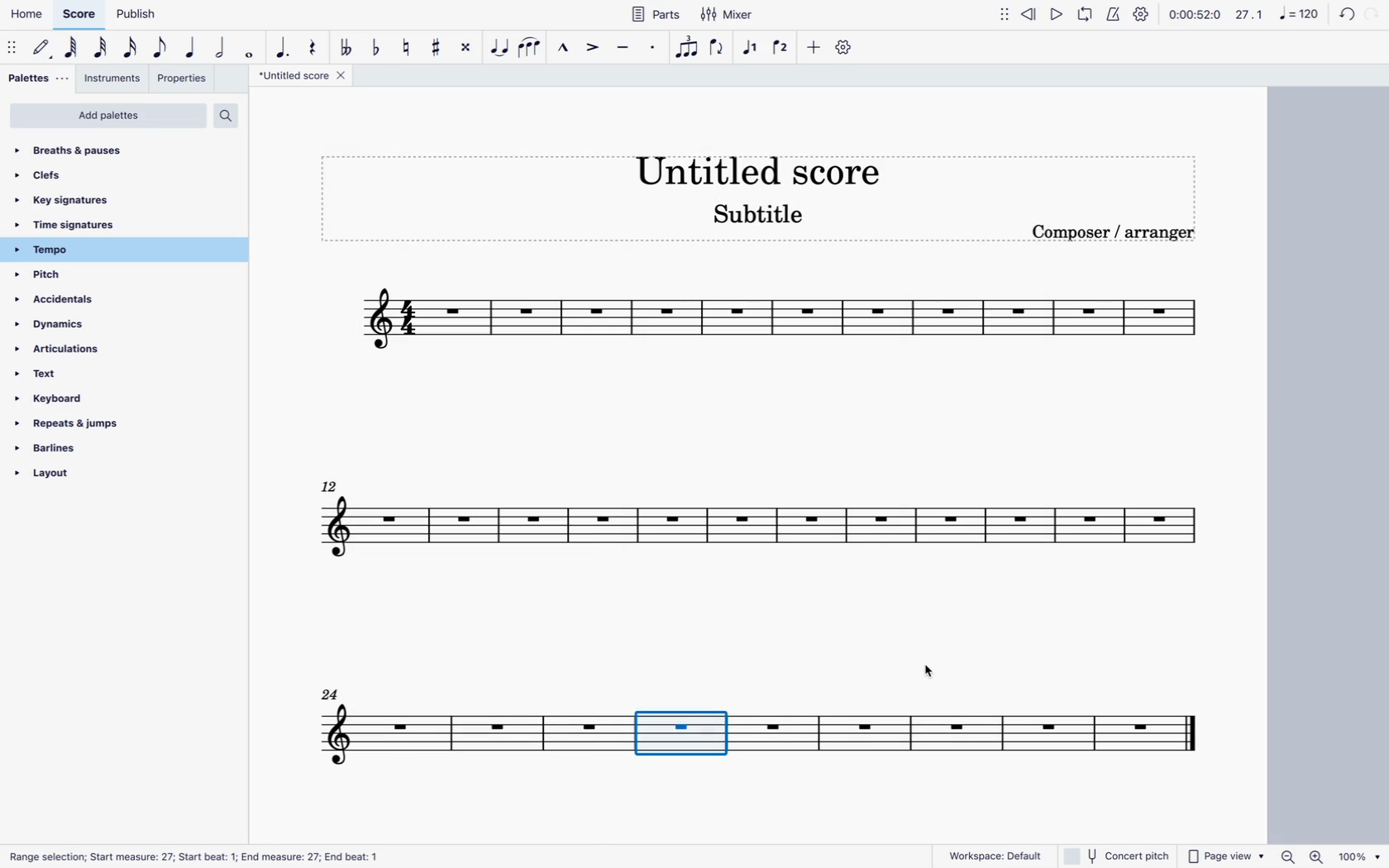 This screenshot has height=868, width=1389. What do you see at coordinates (1117, 13) in the screenshot?
I see `metronome` at bounding box center [1117, 13].